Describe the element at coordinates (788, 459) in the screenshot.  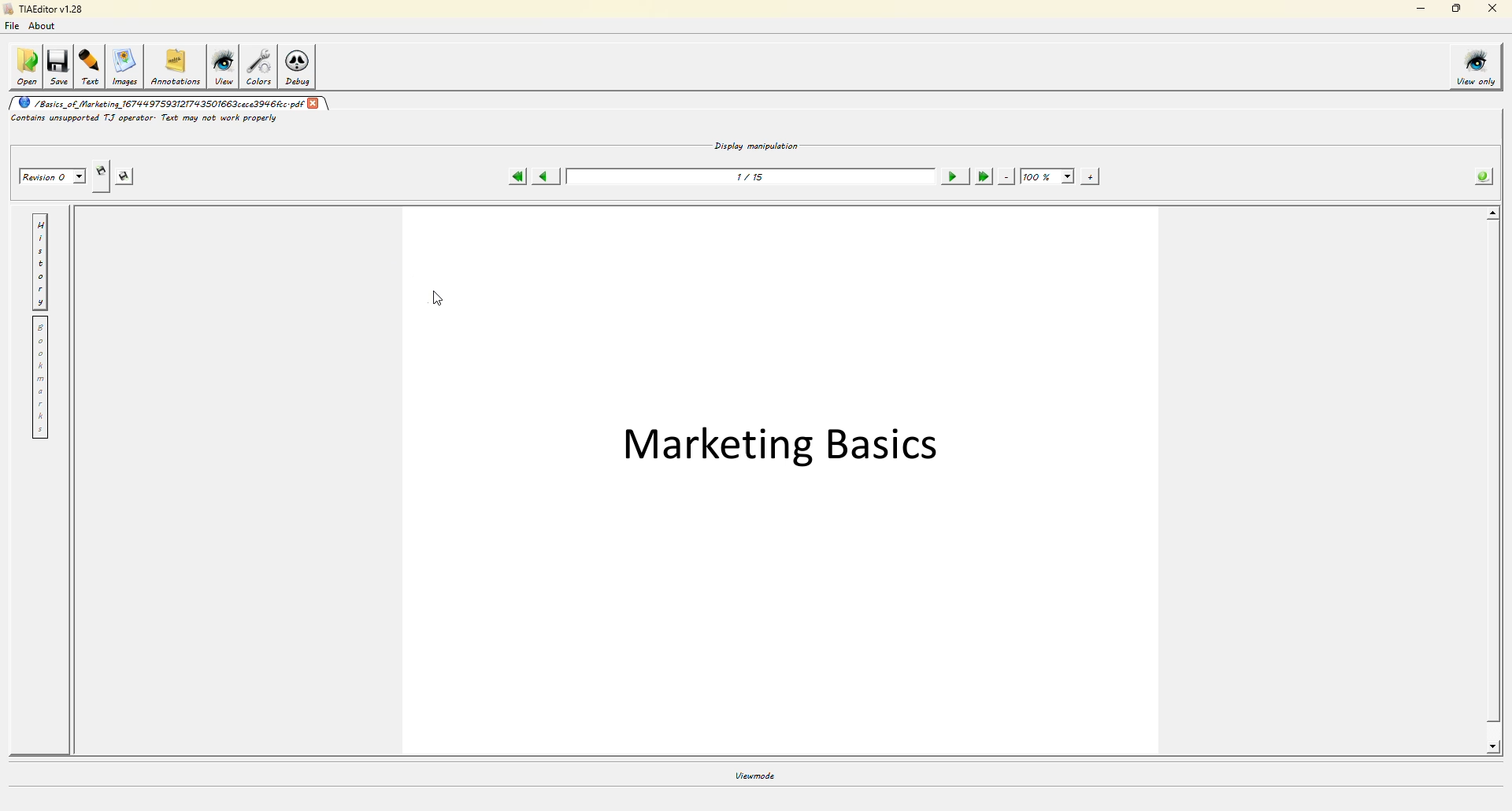
I see `Marketing Basics` at that location.